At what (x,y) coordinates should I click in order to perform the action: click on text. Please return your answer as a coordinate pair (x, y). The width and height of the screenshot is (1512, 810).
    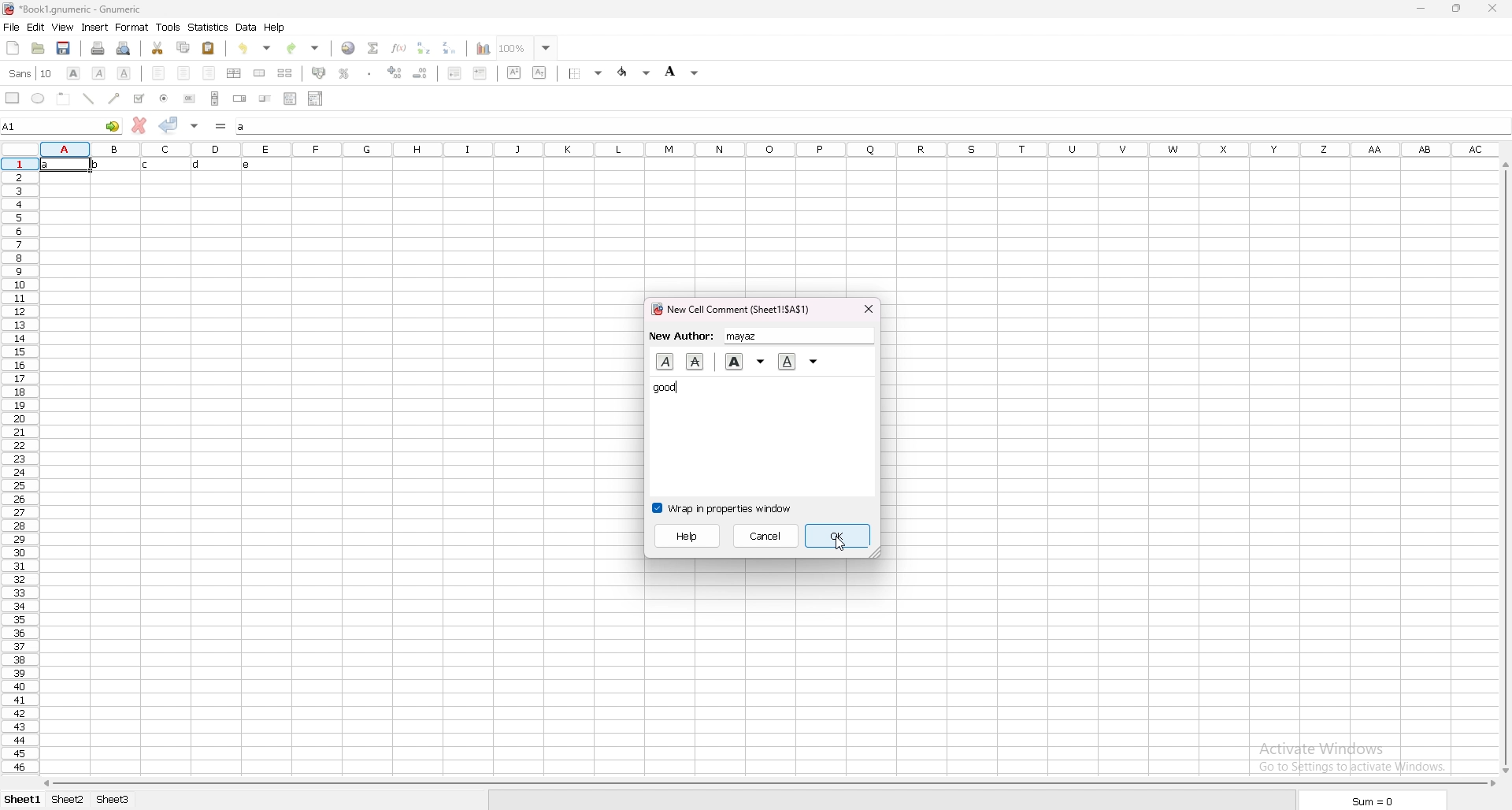
    Looking at the image, I should click on (155, 165).